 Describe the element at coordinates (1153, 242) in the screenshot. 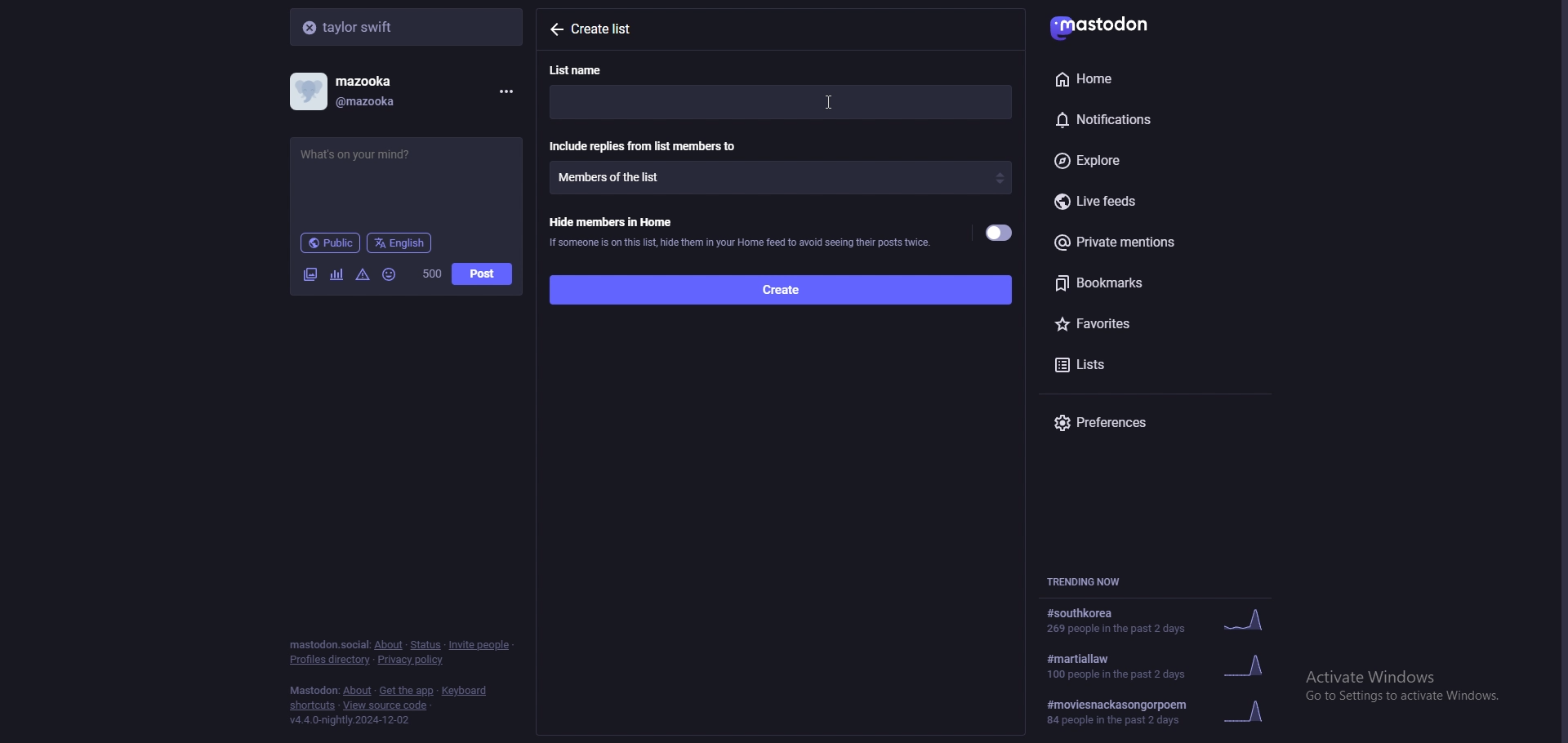

I see `private mentions` at that location.